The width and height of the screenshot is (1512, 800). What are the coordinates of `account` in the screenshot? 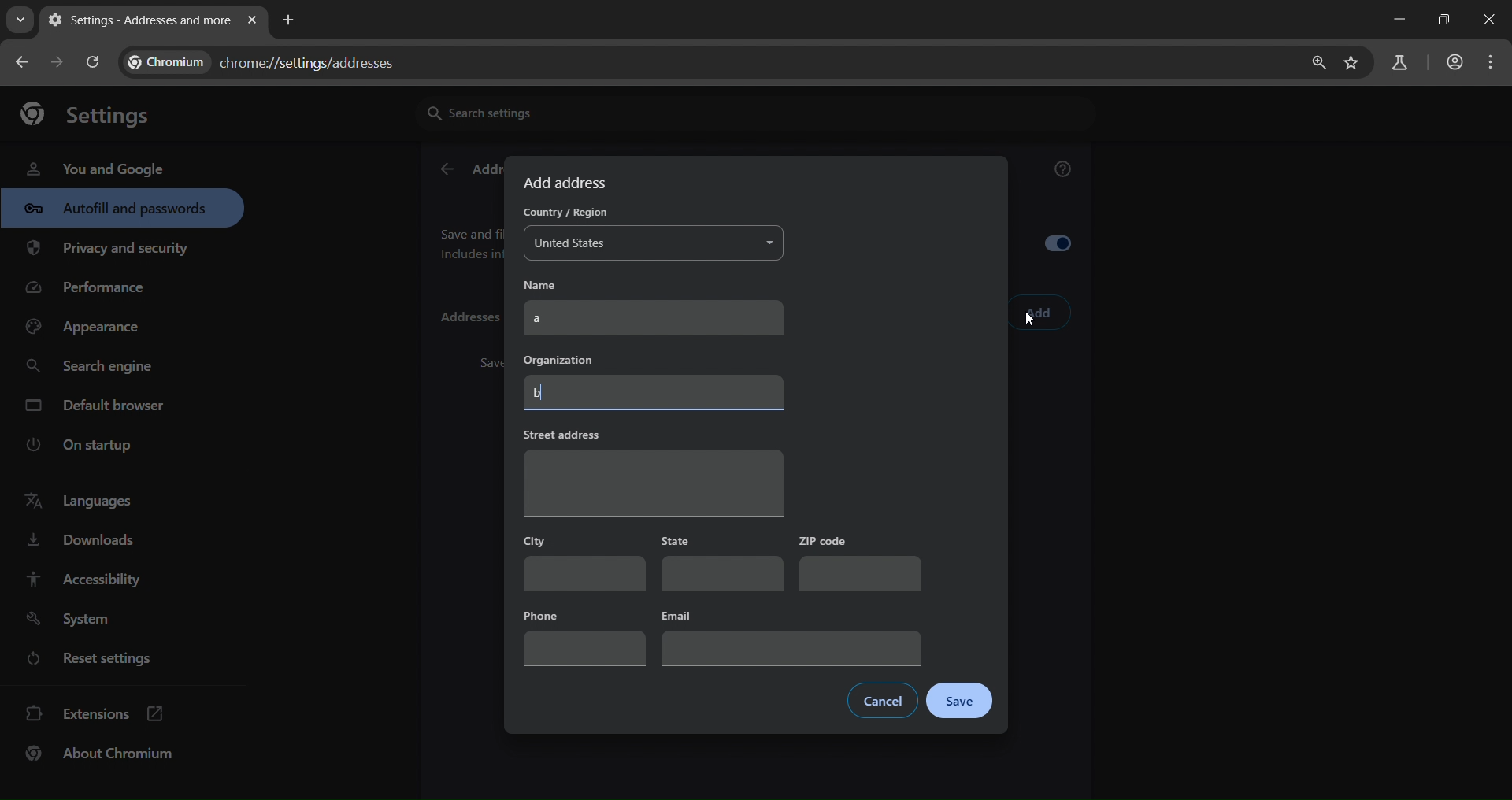 It's located at (1452, 64).